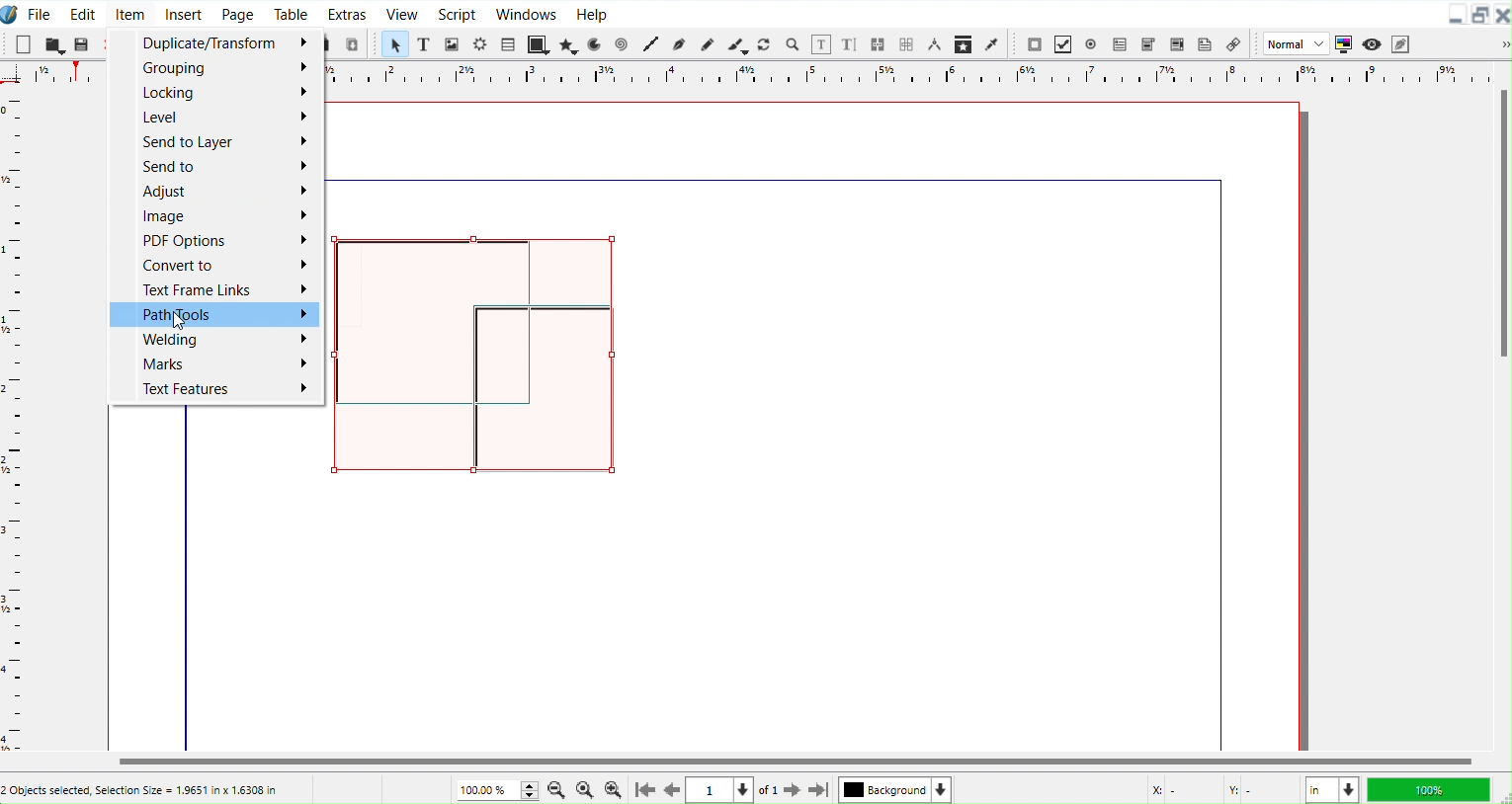 This screenshot has width=1512, height=804. What do you see at coordinates (508, 43) in the screenshot?
I see `Table` at bounding box center [508, 43].